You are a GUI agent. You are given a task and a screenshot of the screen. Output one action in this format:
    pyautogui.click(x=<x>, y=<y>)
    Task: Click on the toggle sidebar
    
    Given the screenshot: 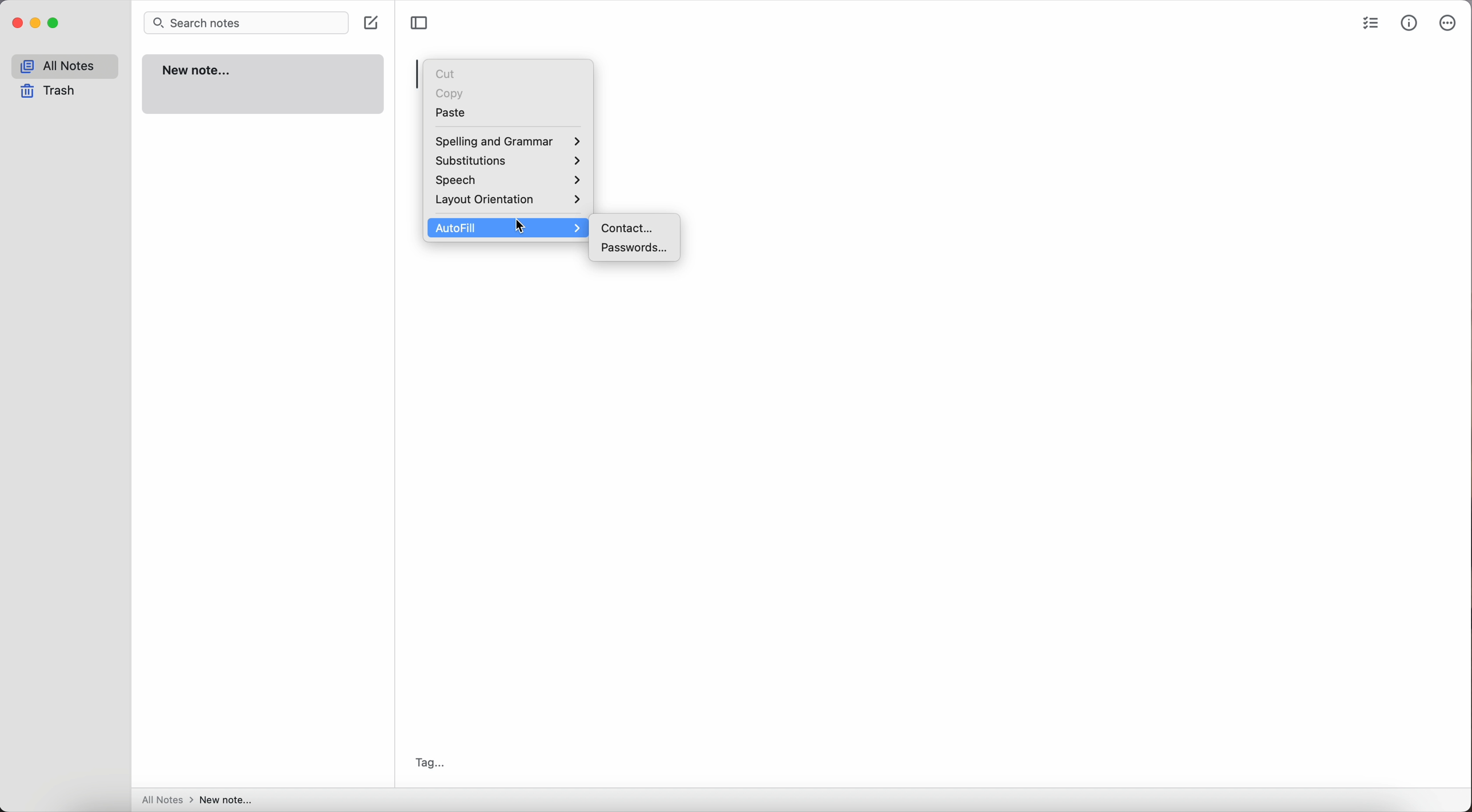 What is the action you would take?
    pyautogui.click(x=419, y=23)
    